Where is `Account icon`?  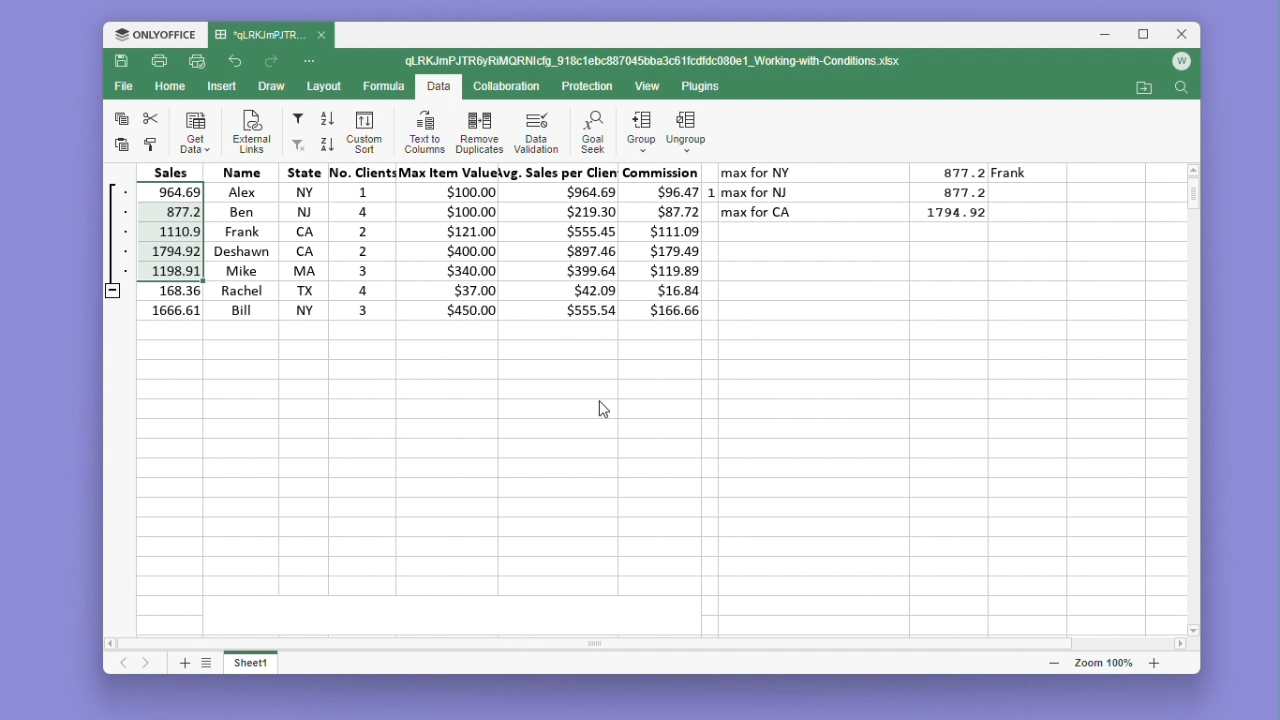 Account icon is located at coordinates (1181, 62).